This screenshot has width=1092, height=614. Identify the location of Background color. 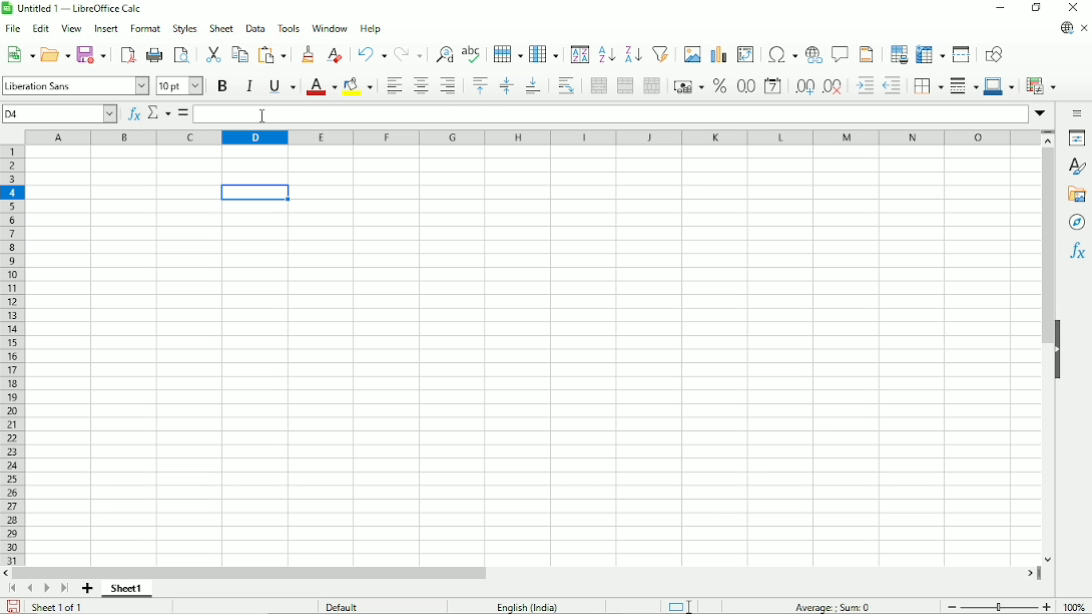
(359, 87).